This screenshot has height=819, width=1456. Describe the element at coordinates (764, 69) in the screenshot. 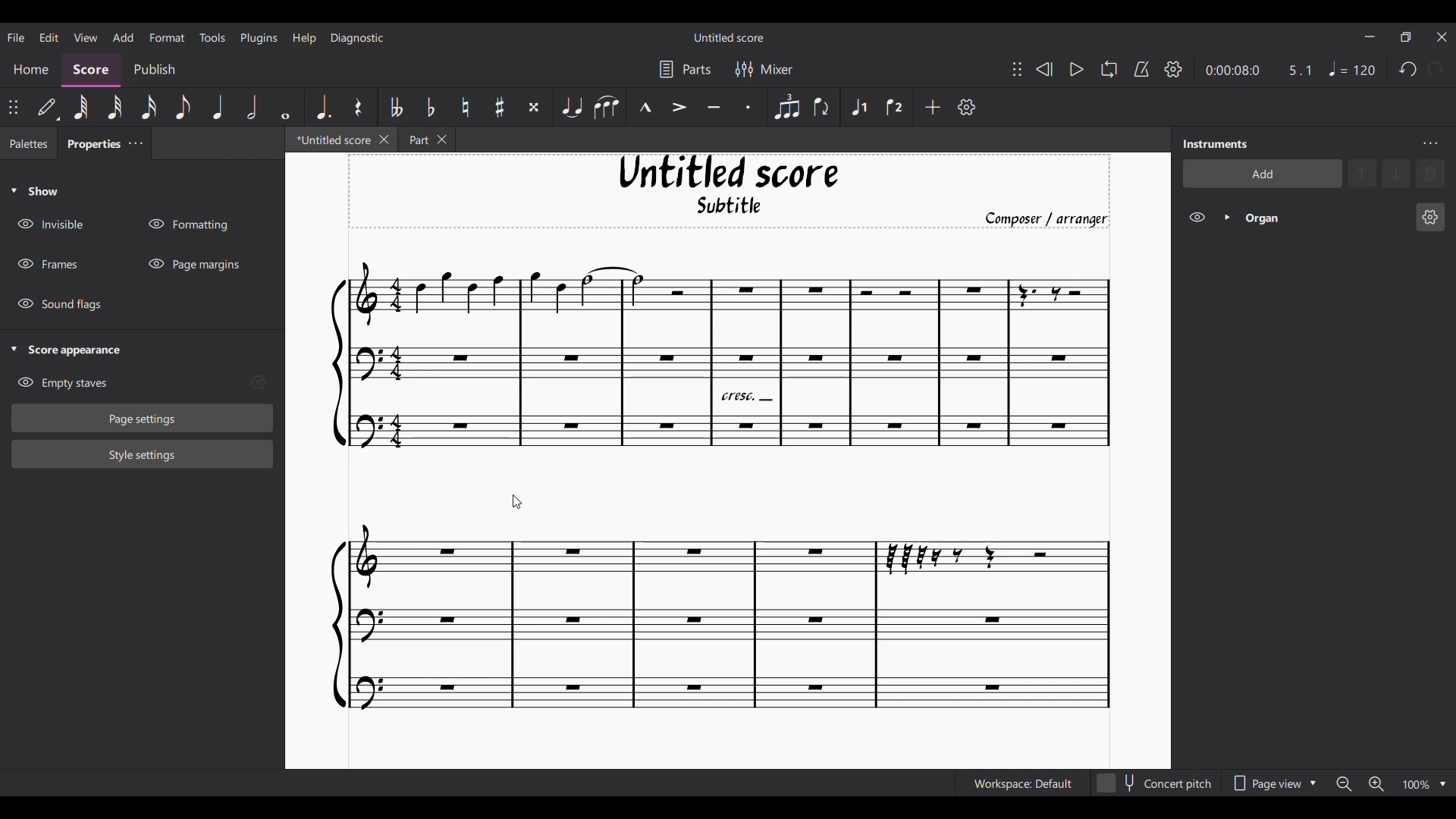

I see `Mixer settings` at that location.